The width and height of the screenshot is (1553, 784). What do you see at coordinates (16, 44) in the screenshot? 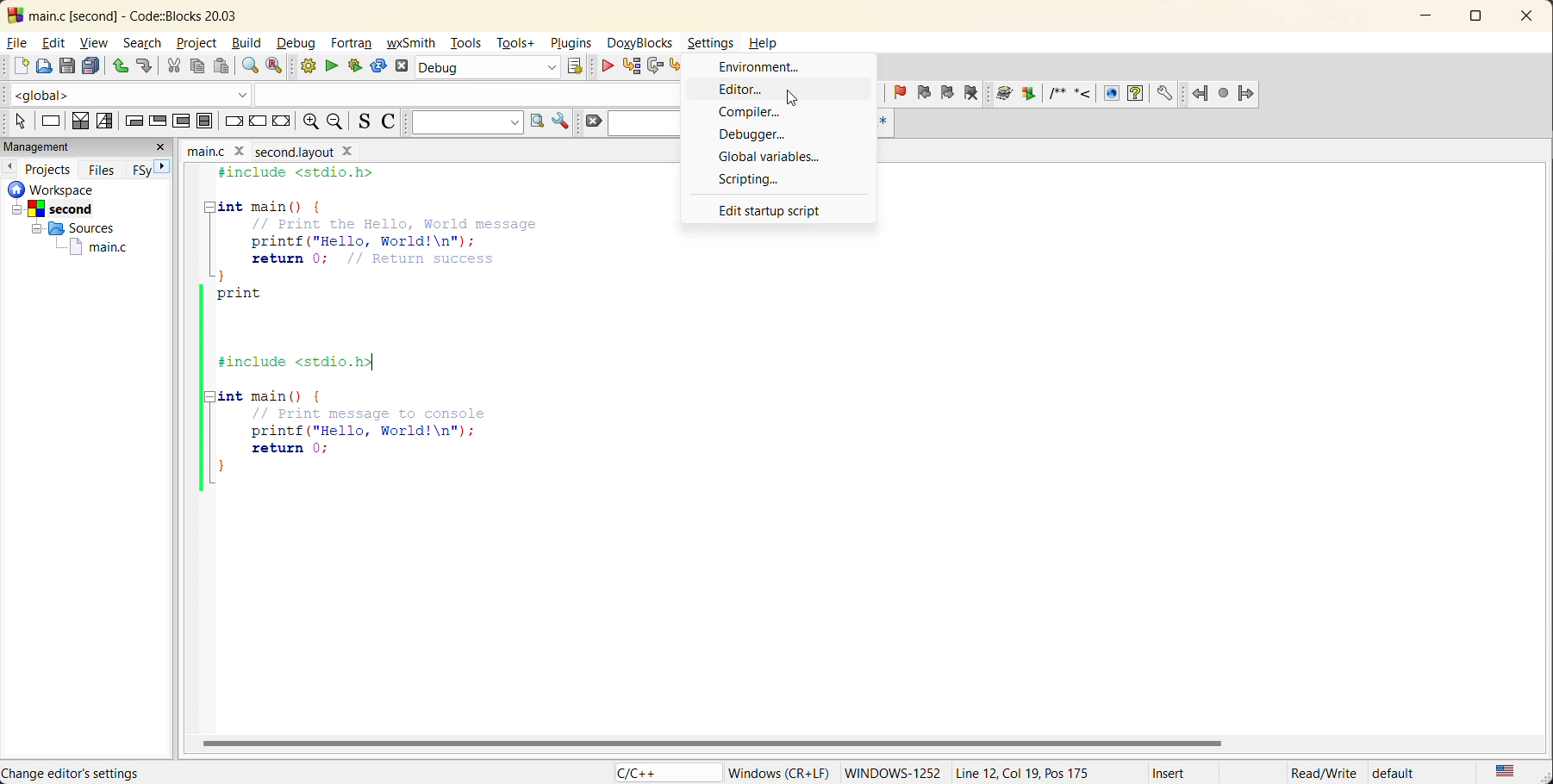
I see `file` at bounding box center [16, 44].